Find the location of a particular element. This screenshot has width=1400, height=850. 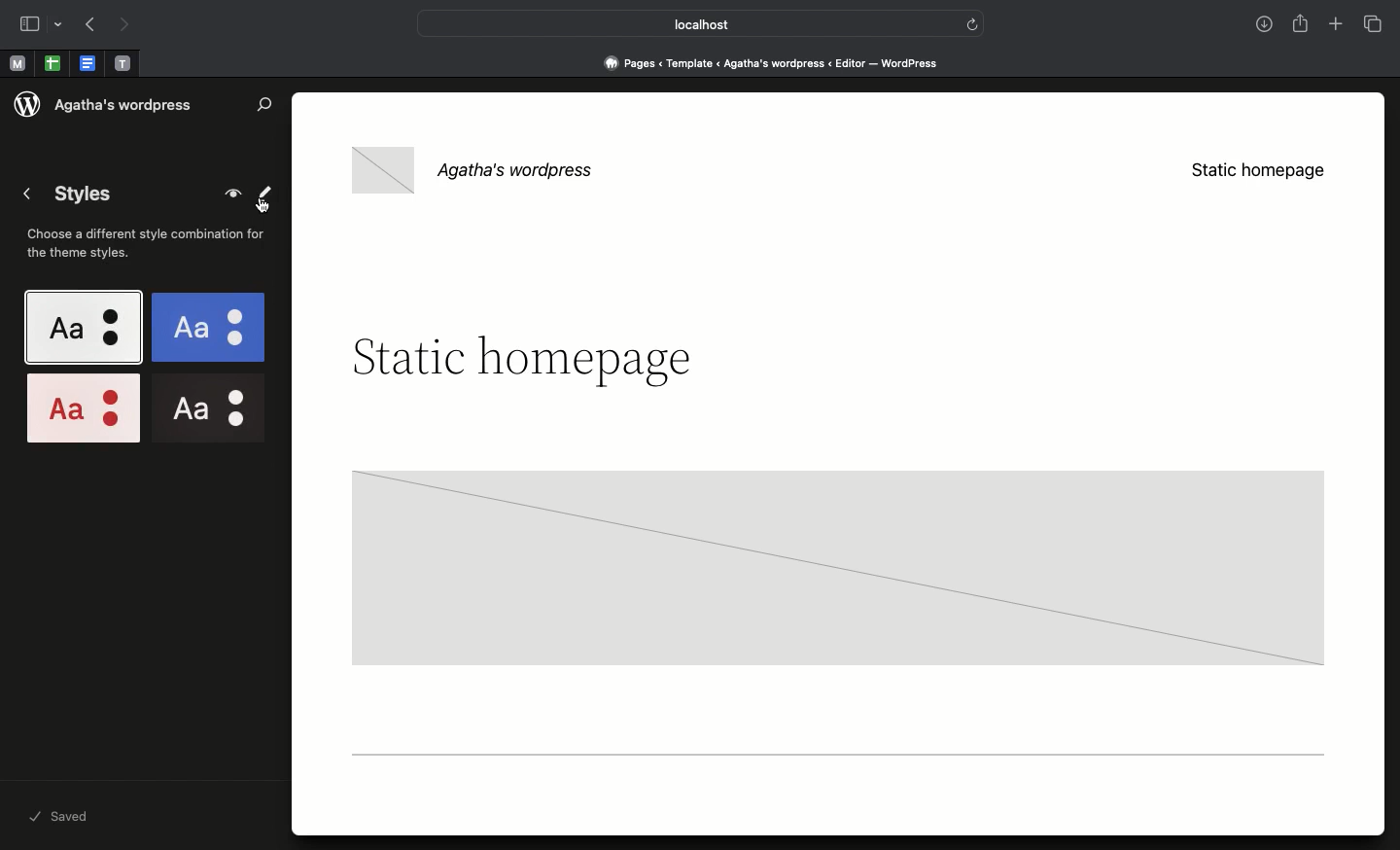

wordpress logo is located at coordinates (26, 106).